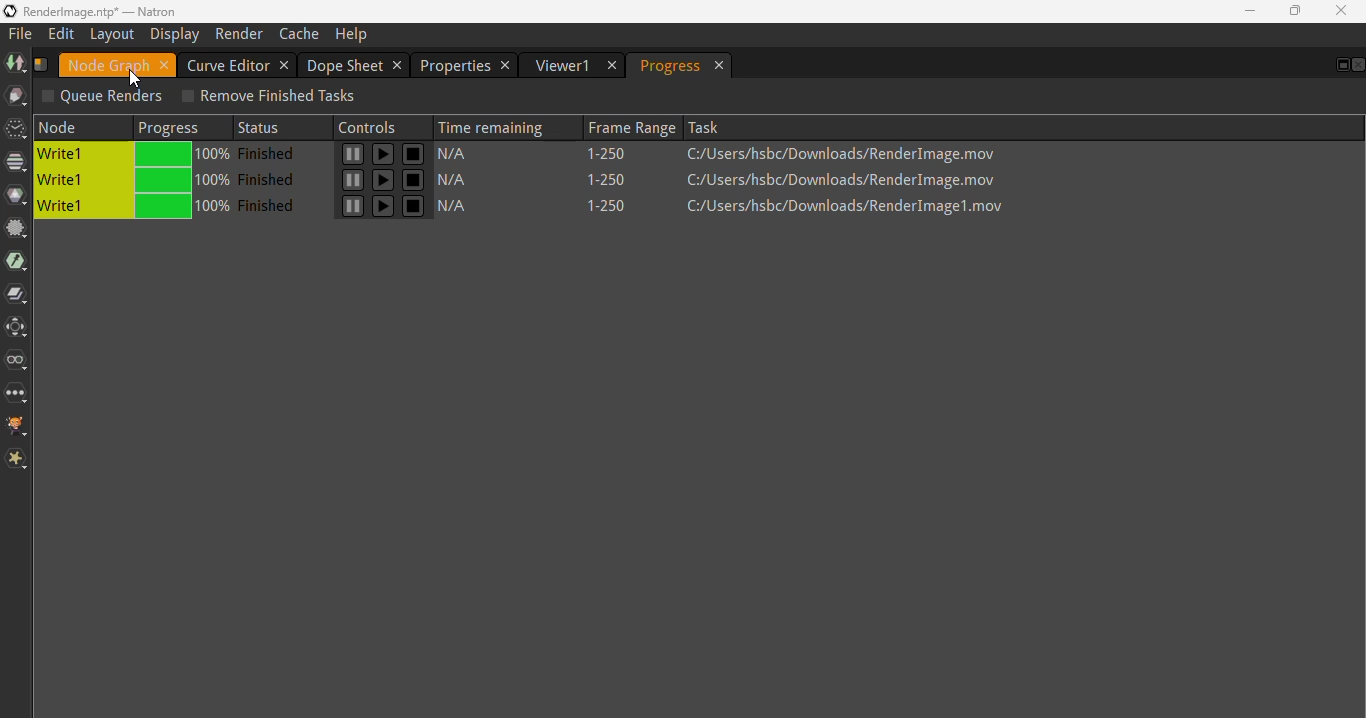 The width and height of the screenshot is (1366, 718). What do you see at coordinates (351, 206) in the screenshot?
I see `play` at bounding box center [351, 206].